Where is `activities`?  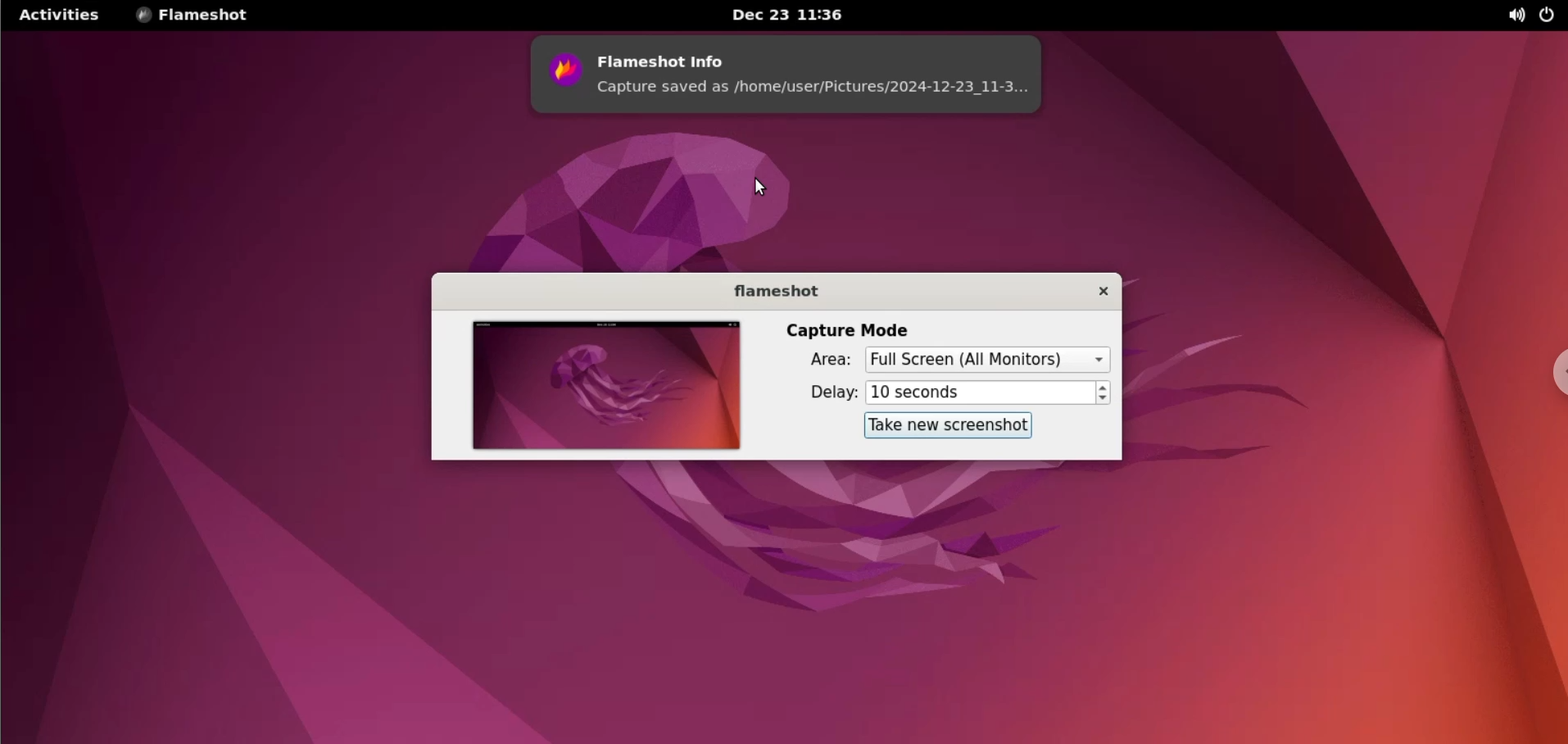 activities is located at coordinates (59, 15).